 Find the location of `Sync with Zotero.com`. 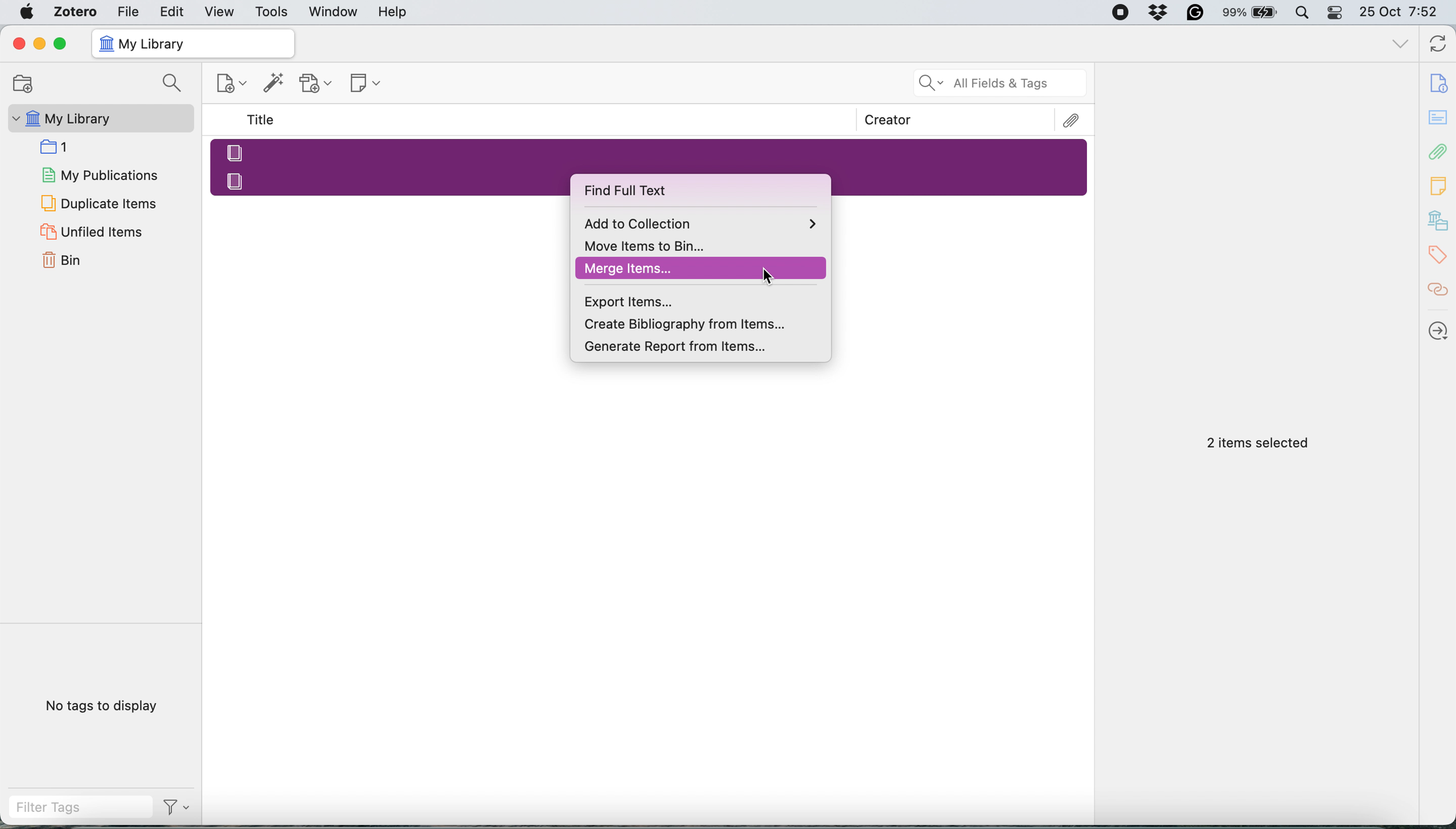

Sync with Zotero.com is located at coordinates (1439, 46).